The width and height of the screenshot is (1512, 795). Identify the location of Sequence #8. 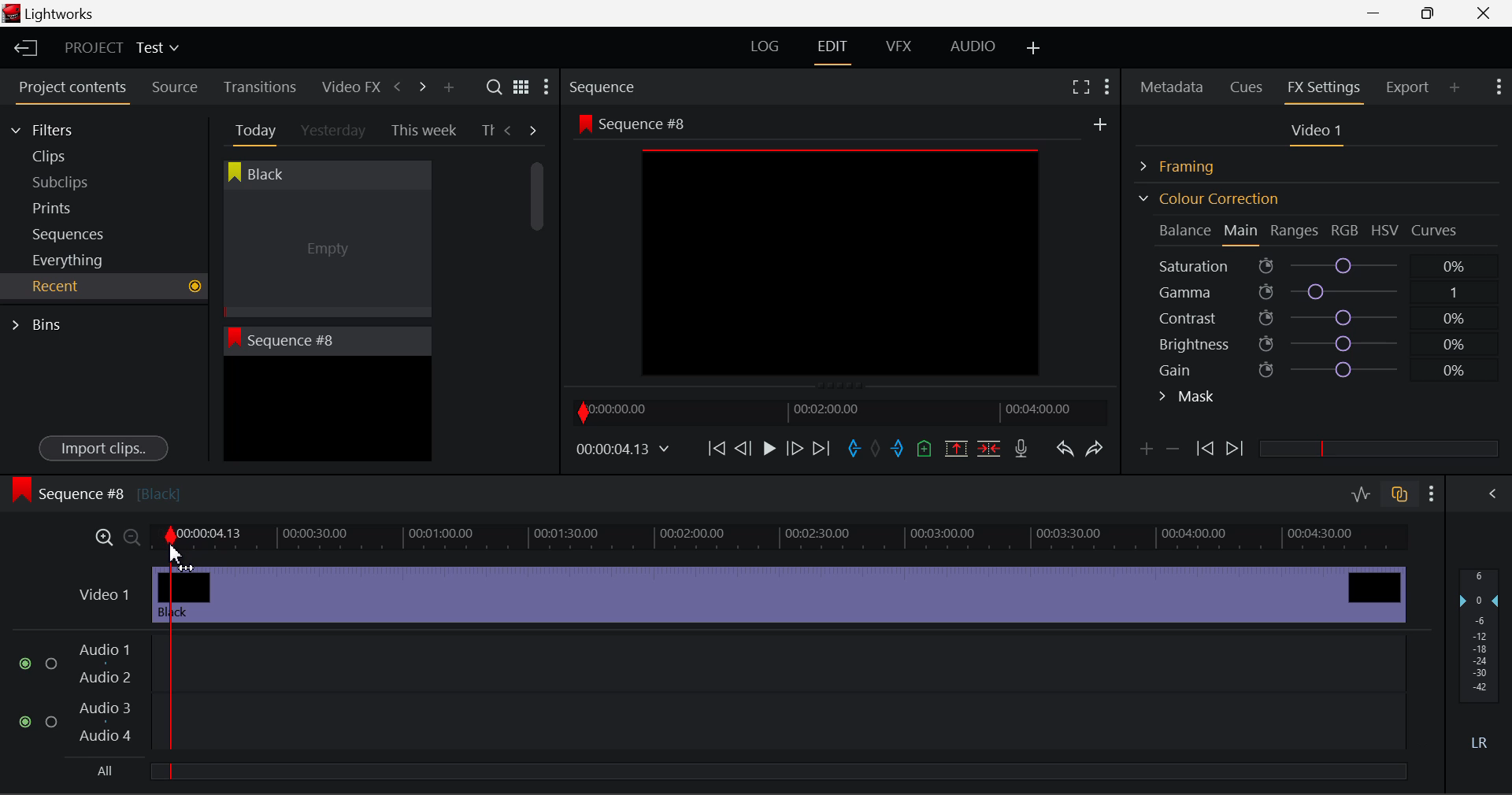
(95, 490).